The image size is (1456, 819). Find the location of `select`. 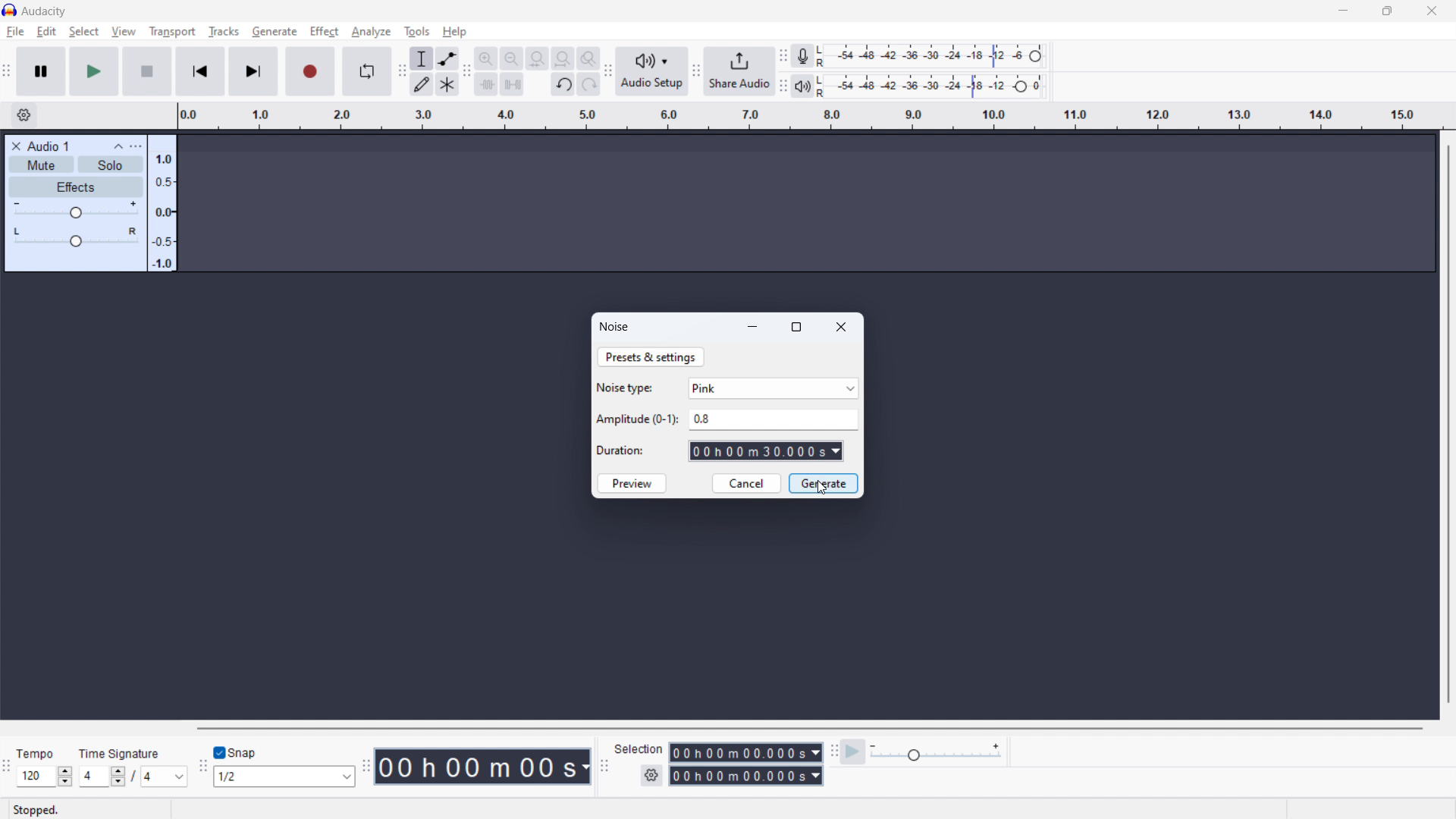

select is located at coordinates (84, 32).